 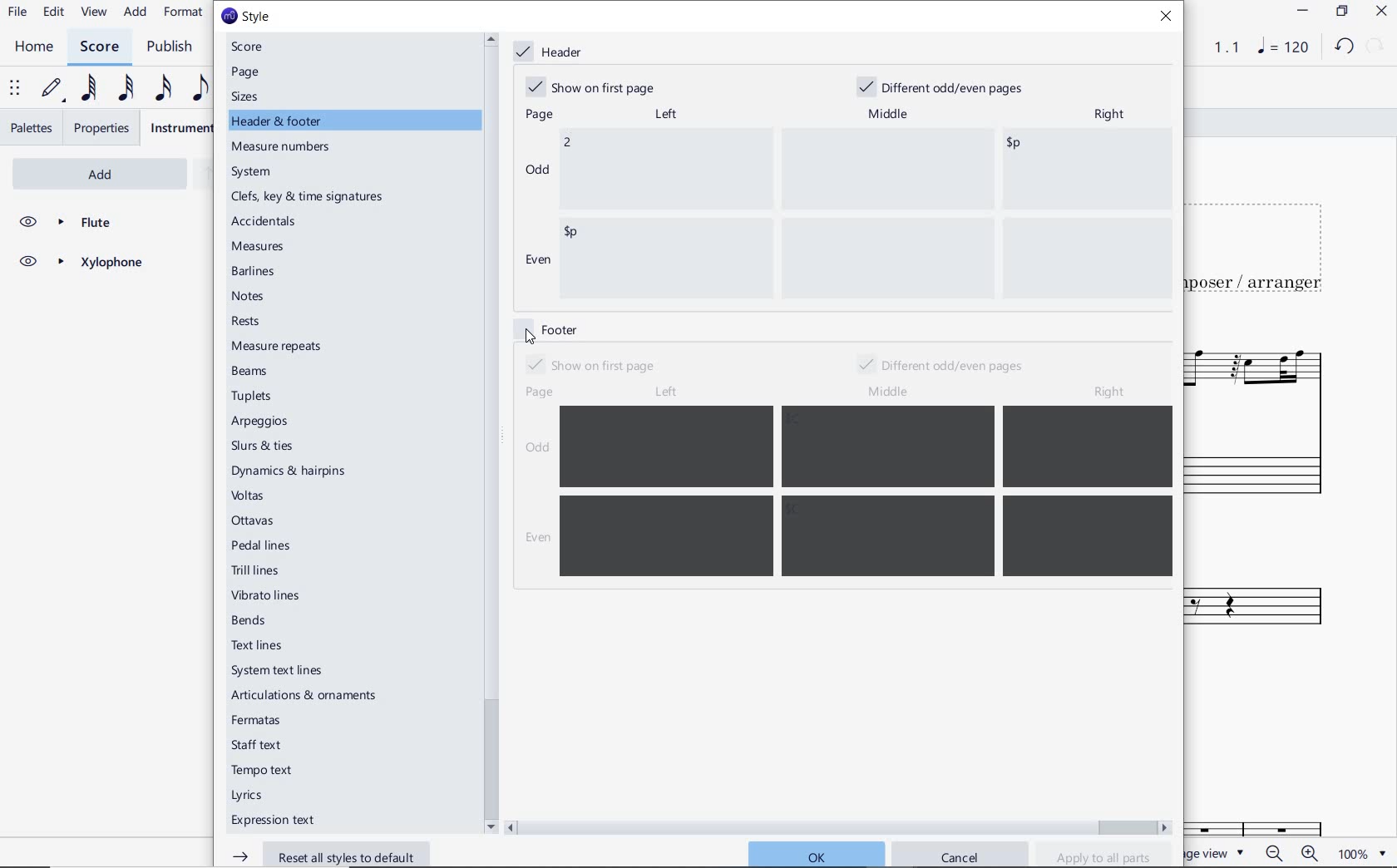 I want to click on measures, so click(x=260, y=248).